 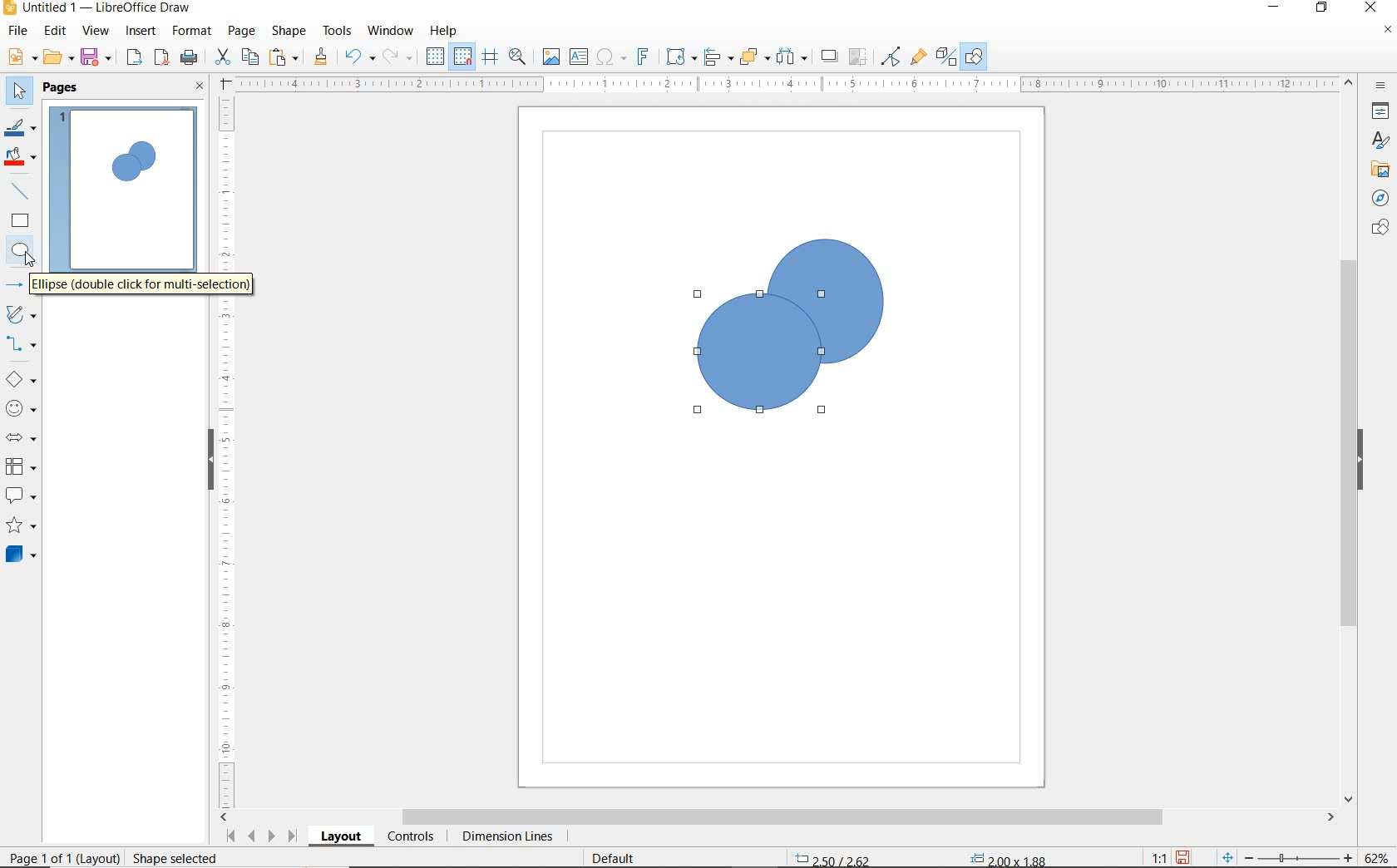 What do you see at coordinates (285, 57) in the screenshot?
I see `PASTE` at bounding box center [285, 57].